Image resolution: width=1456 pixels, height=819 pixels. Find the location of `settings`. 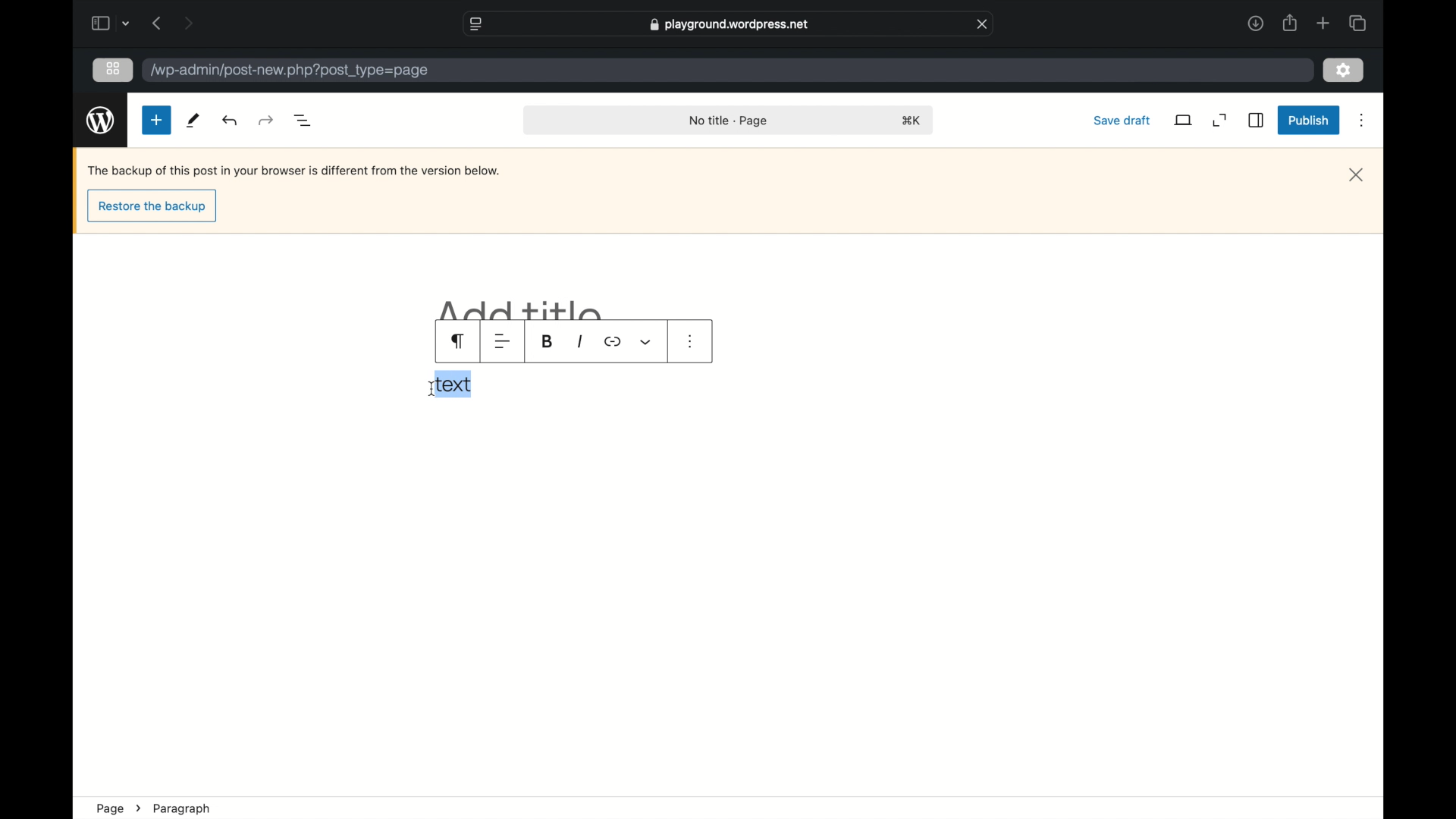

settings is located at coordinates (1345, 69).